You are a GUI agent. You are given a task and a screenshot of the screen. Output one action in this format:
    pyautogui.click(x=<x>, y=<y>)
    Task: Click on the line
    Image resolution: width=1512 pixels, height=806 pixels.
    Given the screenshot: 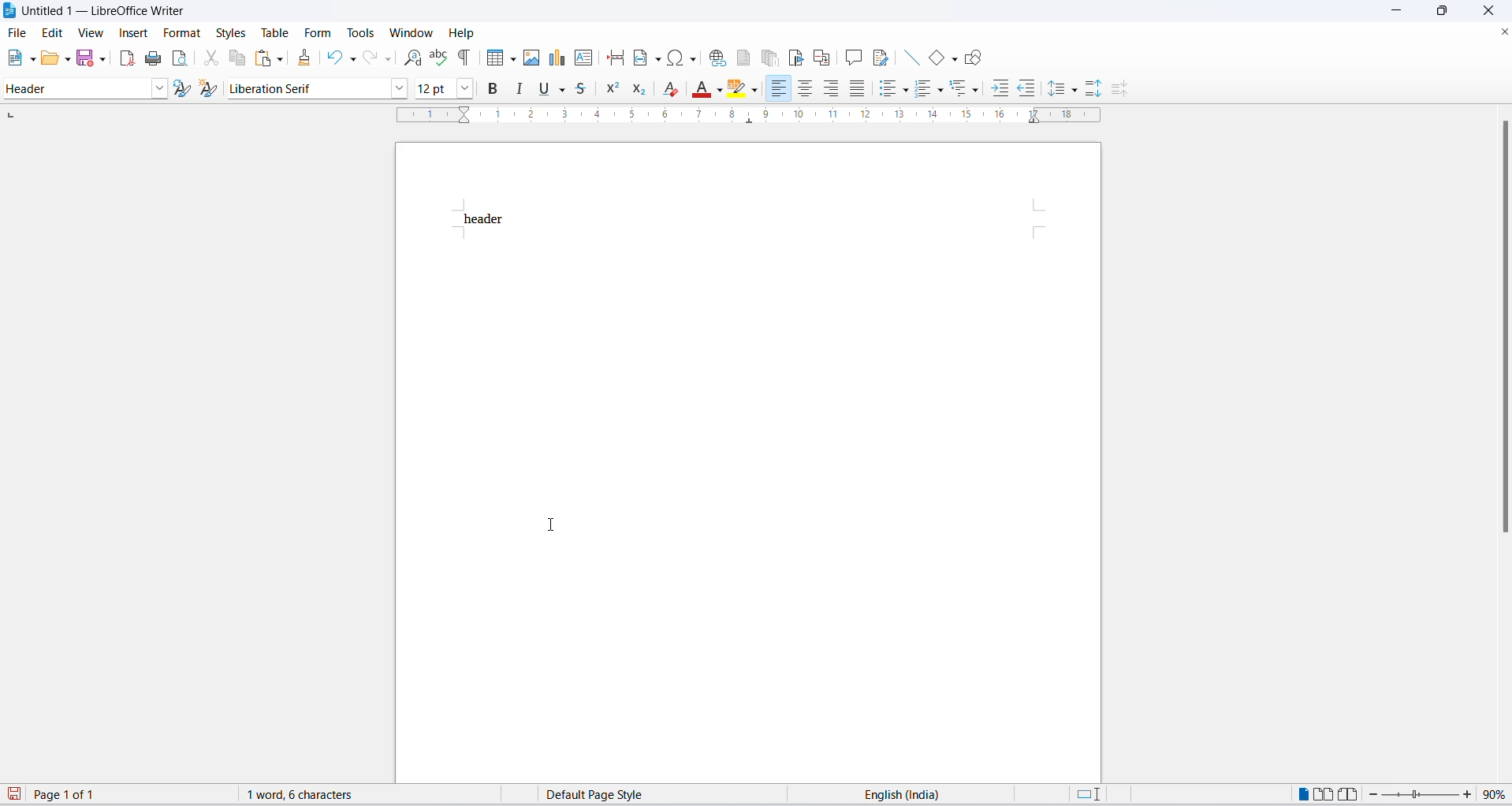 What is the action you would take?
    pyautogui.click(x=906, y=57)
    